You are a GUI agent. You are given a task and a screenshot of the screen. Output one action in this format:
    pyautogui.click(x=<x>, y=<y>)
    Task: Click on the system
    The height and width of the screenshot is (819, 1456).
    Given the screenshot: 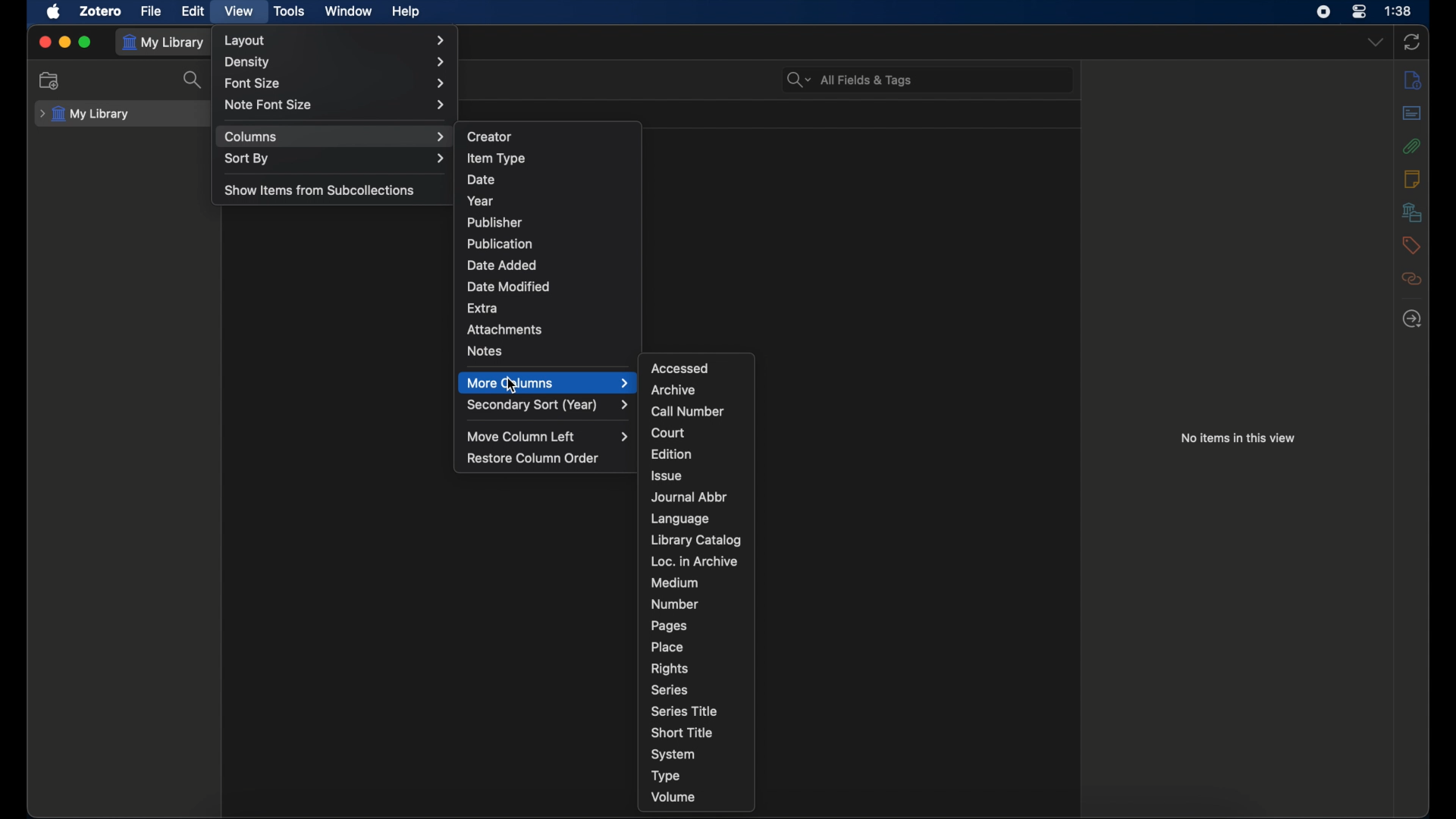 What is the action you would take?
    pyautogui.click(x=673, y=755)
    